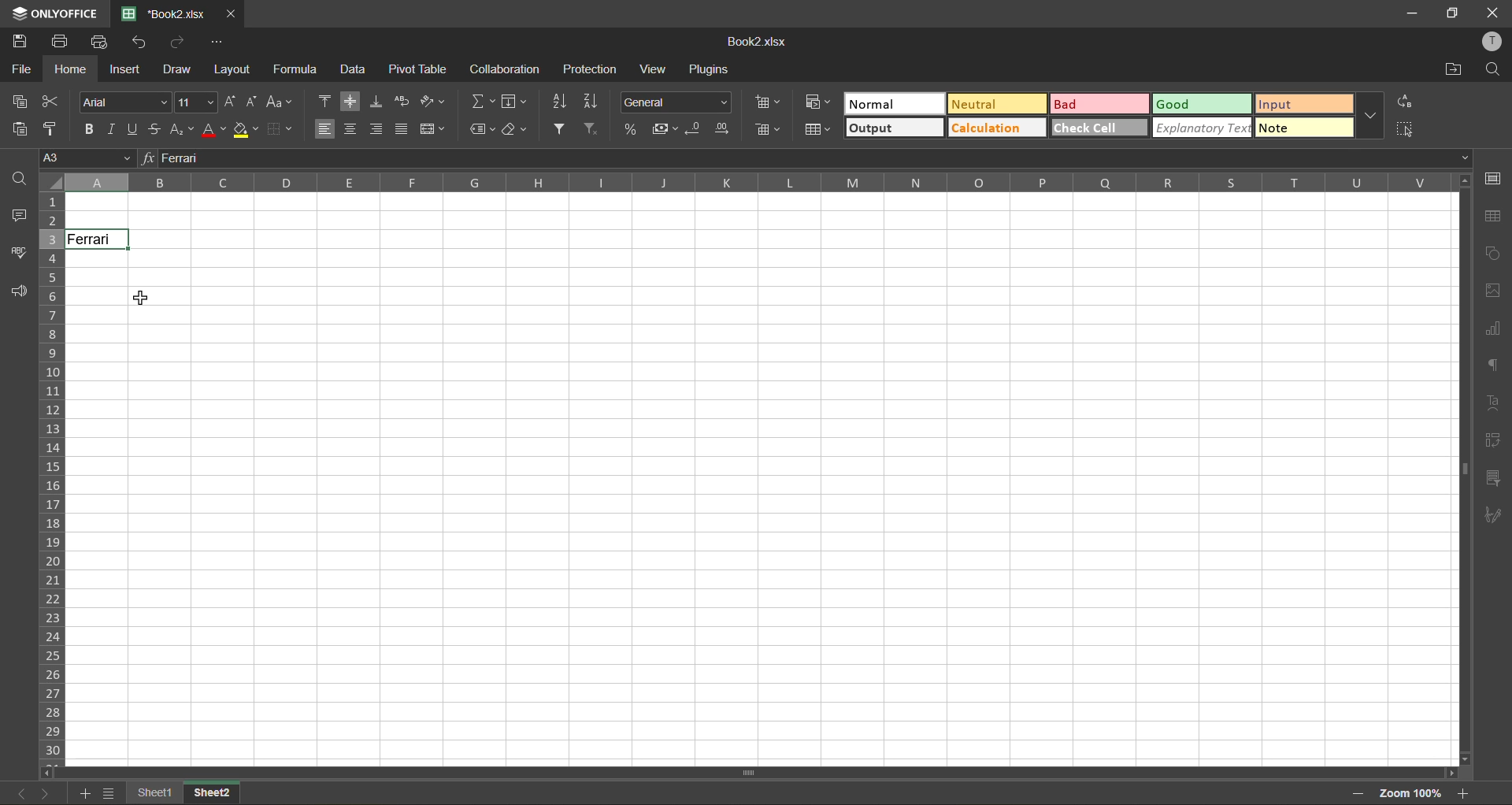  I want to click on sort ascending, so click(559, 102).